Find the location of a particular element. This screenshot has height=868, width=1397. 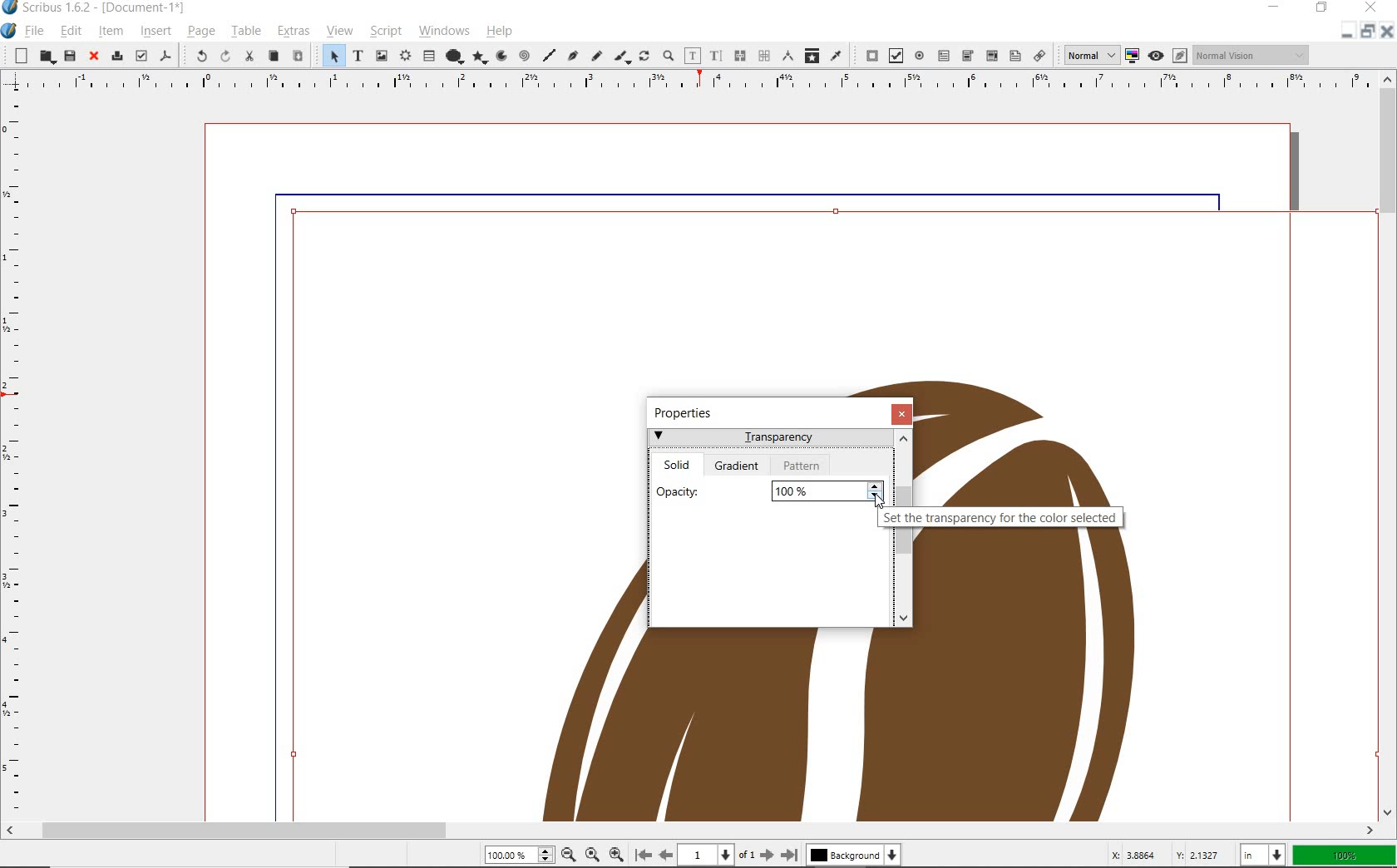

render frame is located at coordinates (403, 57).